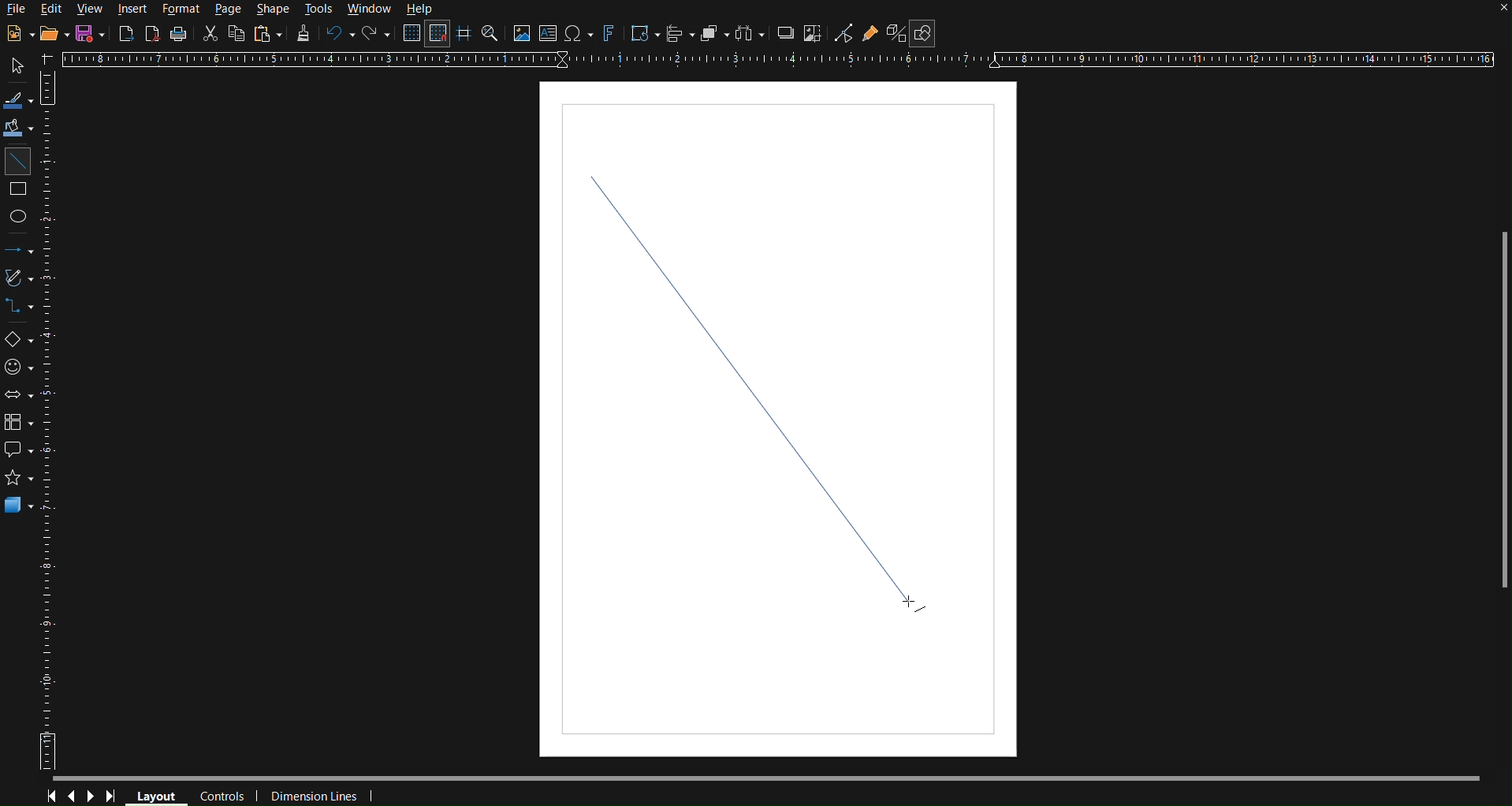 The width and height of the screenshot is (1512, 806). What do you see at coordinates (17, 11) in the screenshot?
I see `File` at bounding box center [17, 11].